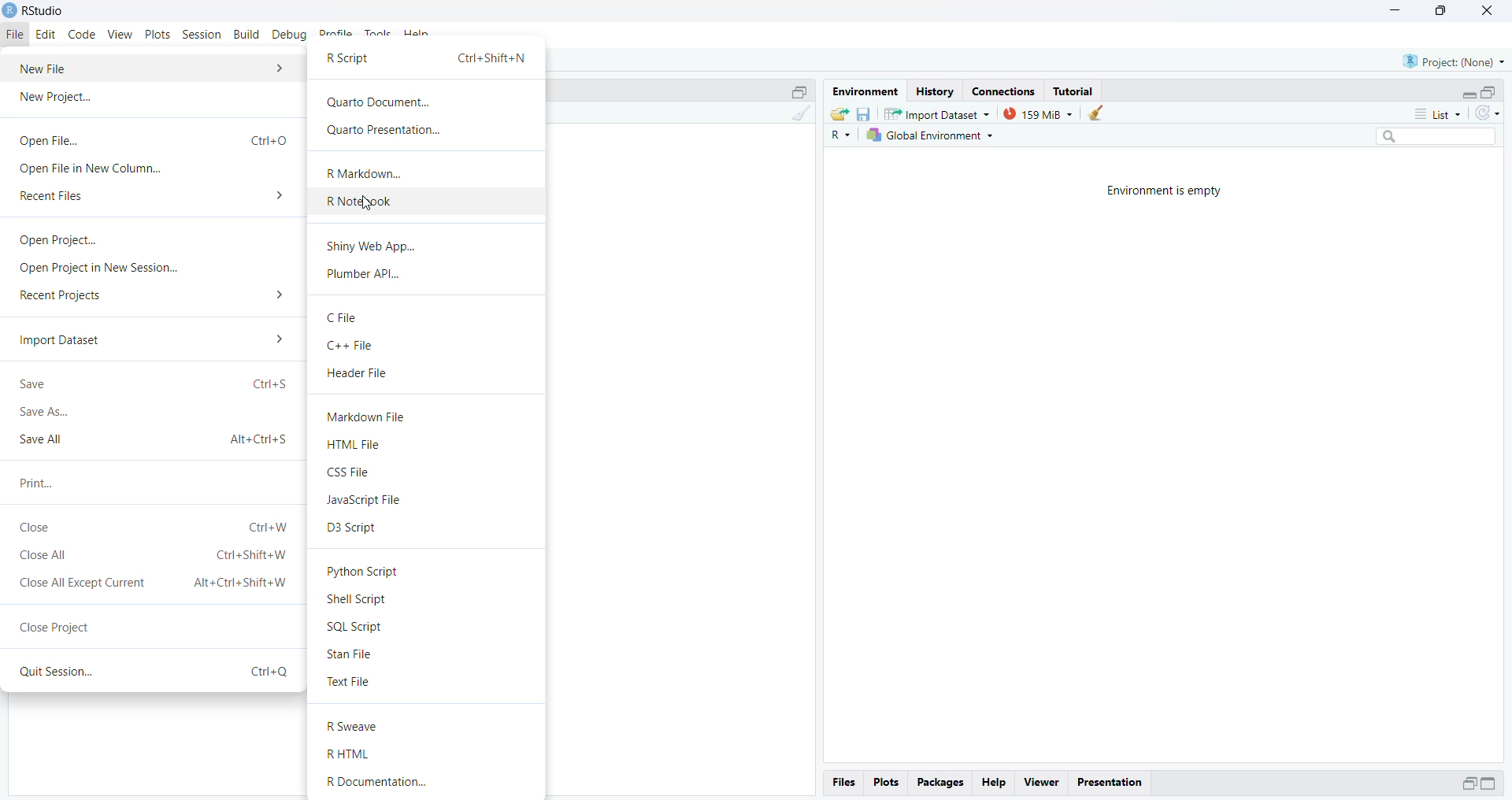  What do you see at coordinates (885, 783) in the screenshot?
I see `plots` at bounding box center [885, 783].